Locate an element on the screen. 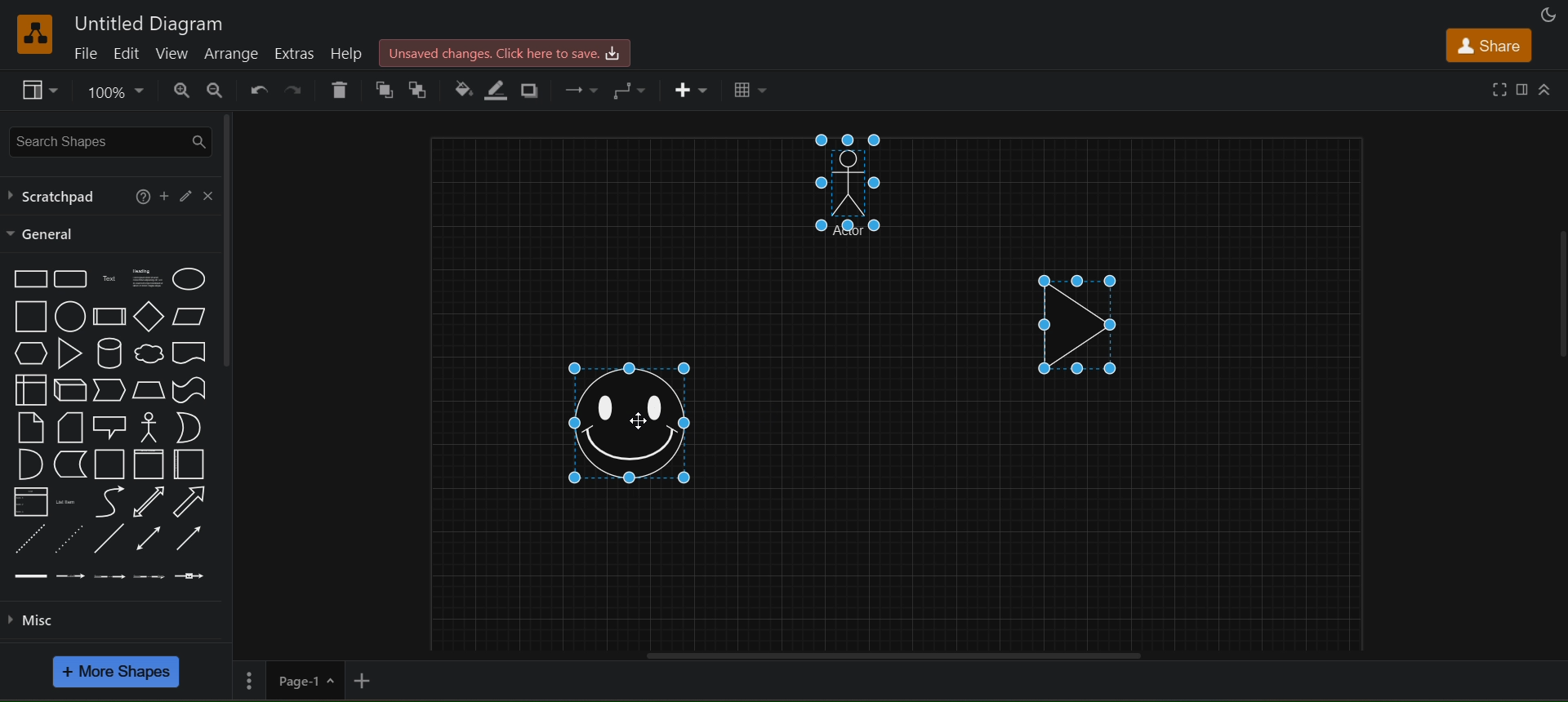 The width and height of the screenshot is (1568, 702). format is located at coordinates (1522, 88).